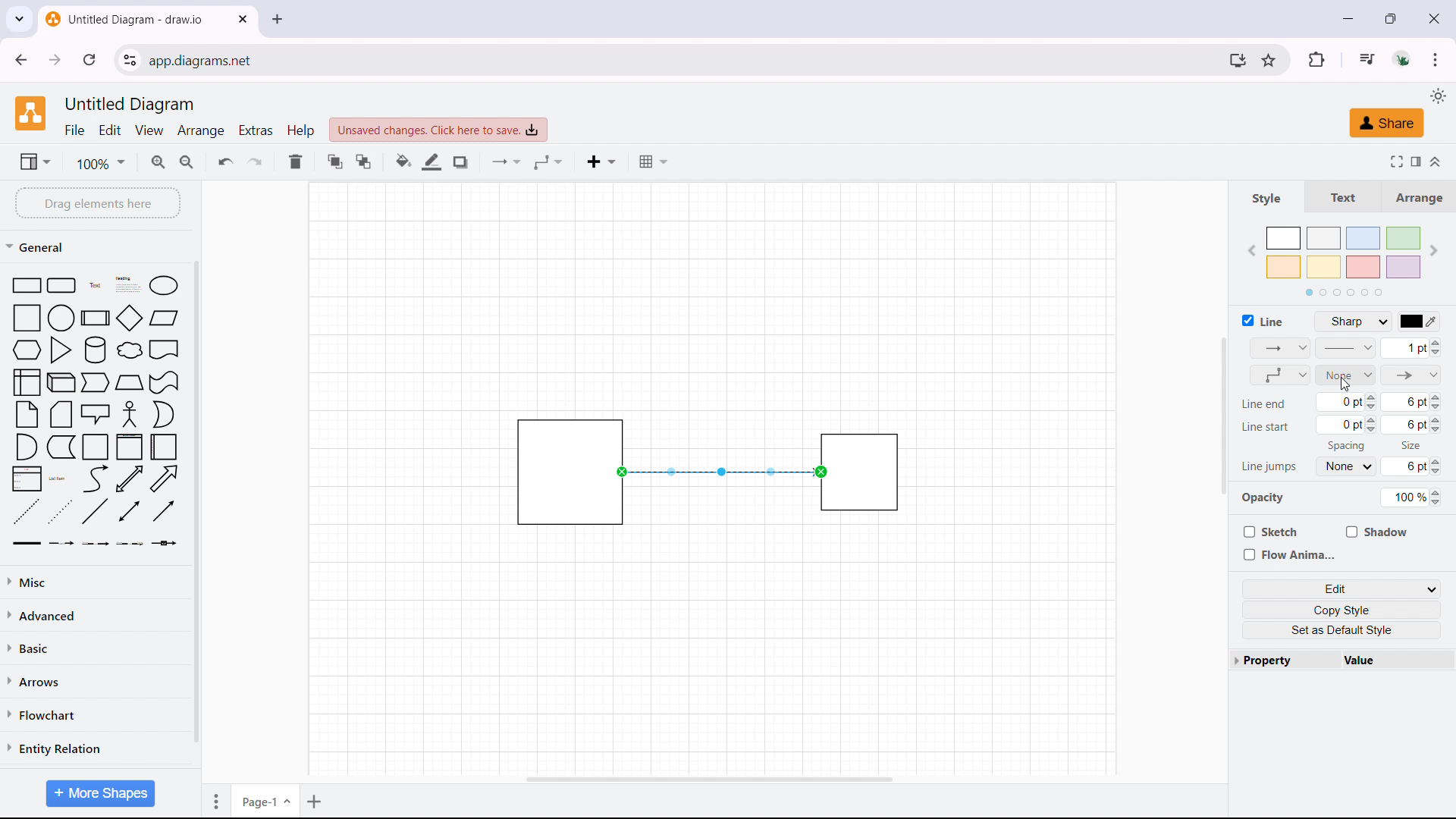 The image size is (1456, 819). I want to click on shadow, so click(1378, 532).